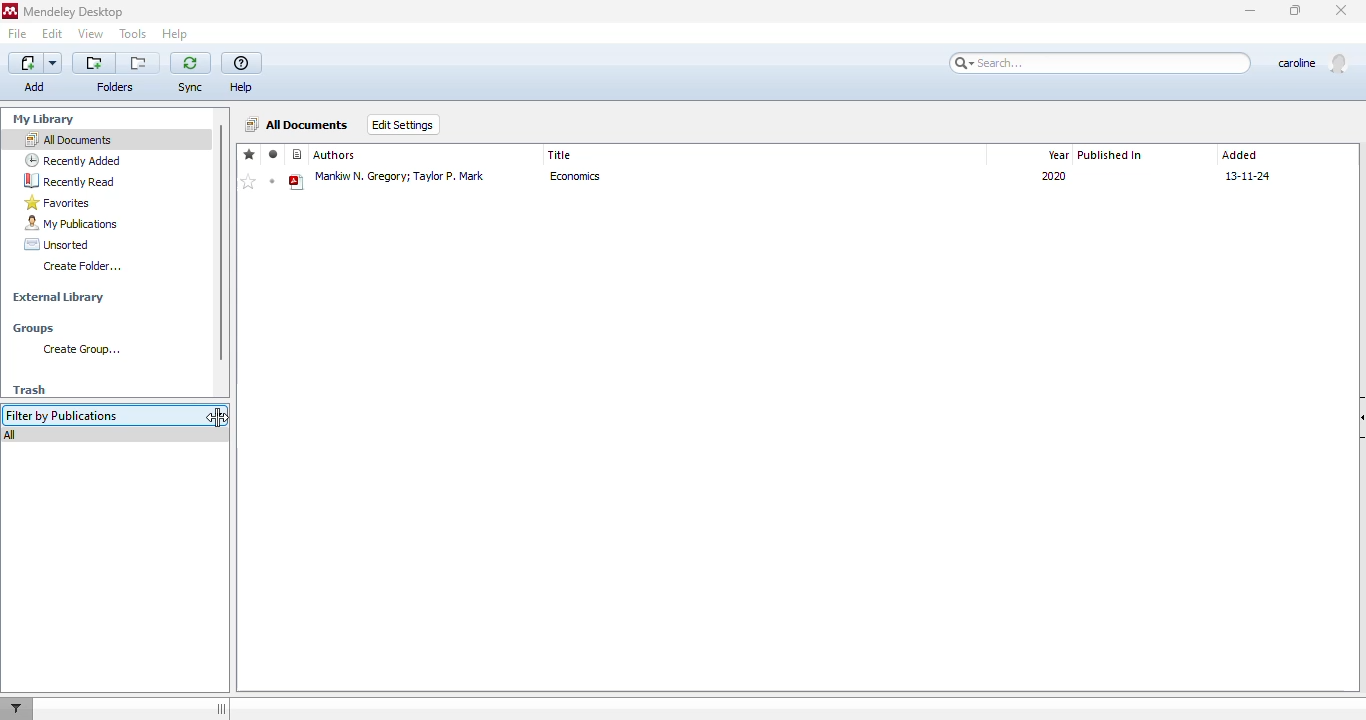  I want to click on groups, so click(34, 328).